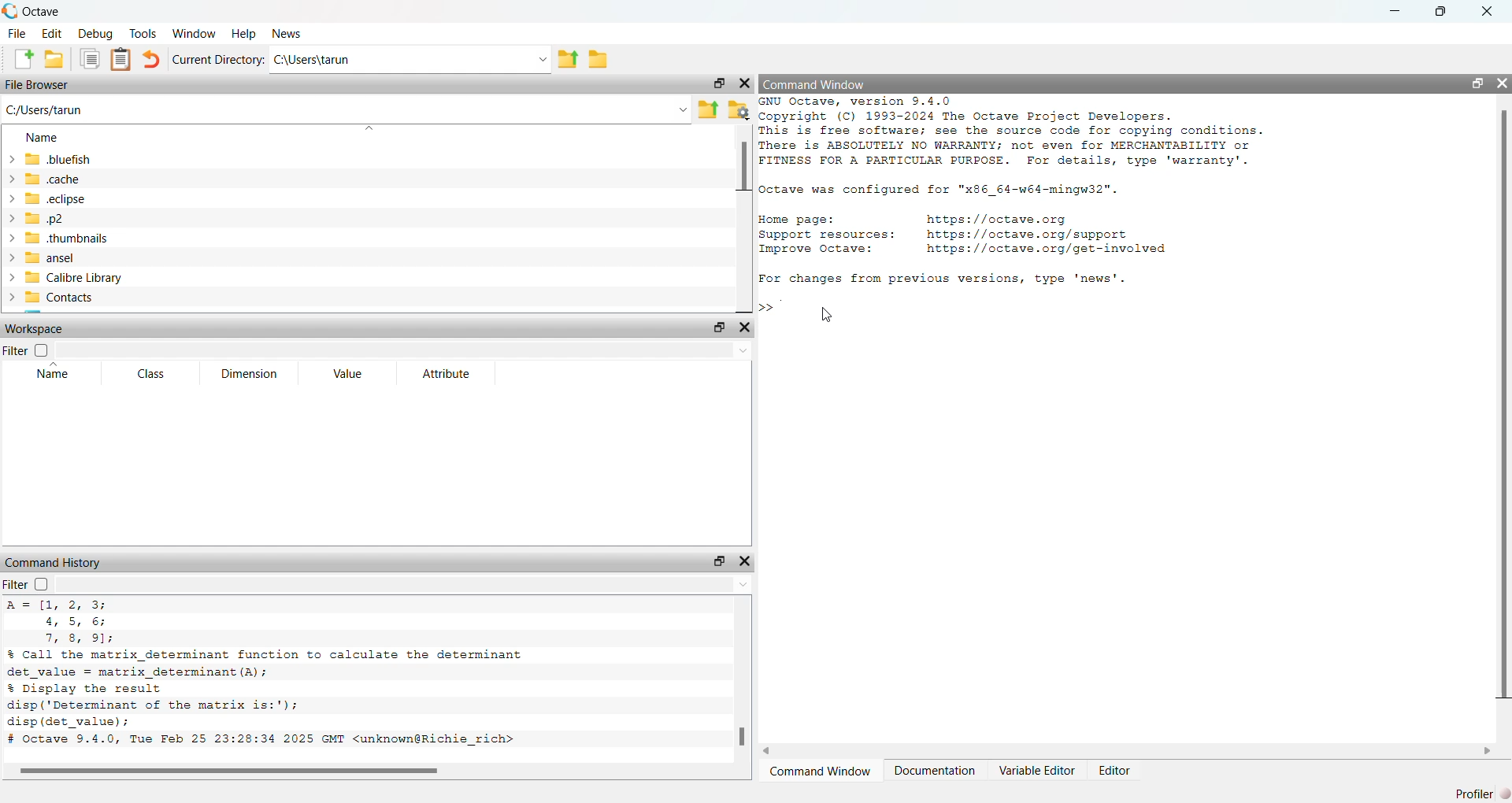  Describe the element at coordinates (1482, 792) in the screenshot. I see `profiler` at that location.